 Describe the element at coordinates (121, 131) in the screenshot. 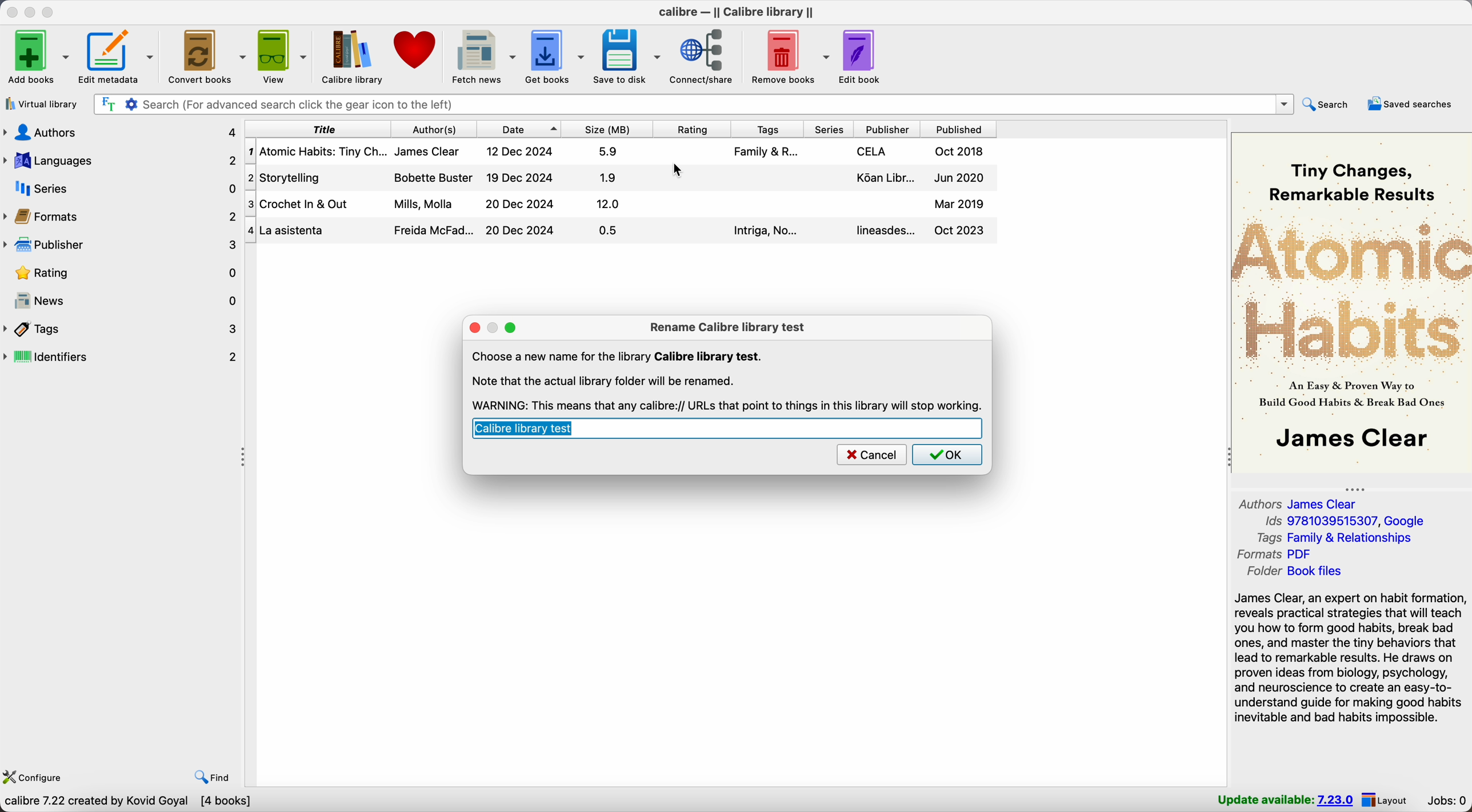

I see `authors` at that location.